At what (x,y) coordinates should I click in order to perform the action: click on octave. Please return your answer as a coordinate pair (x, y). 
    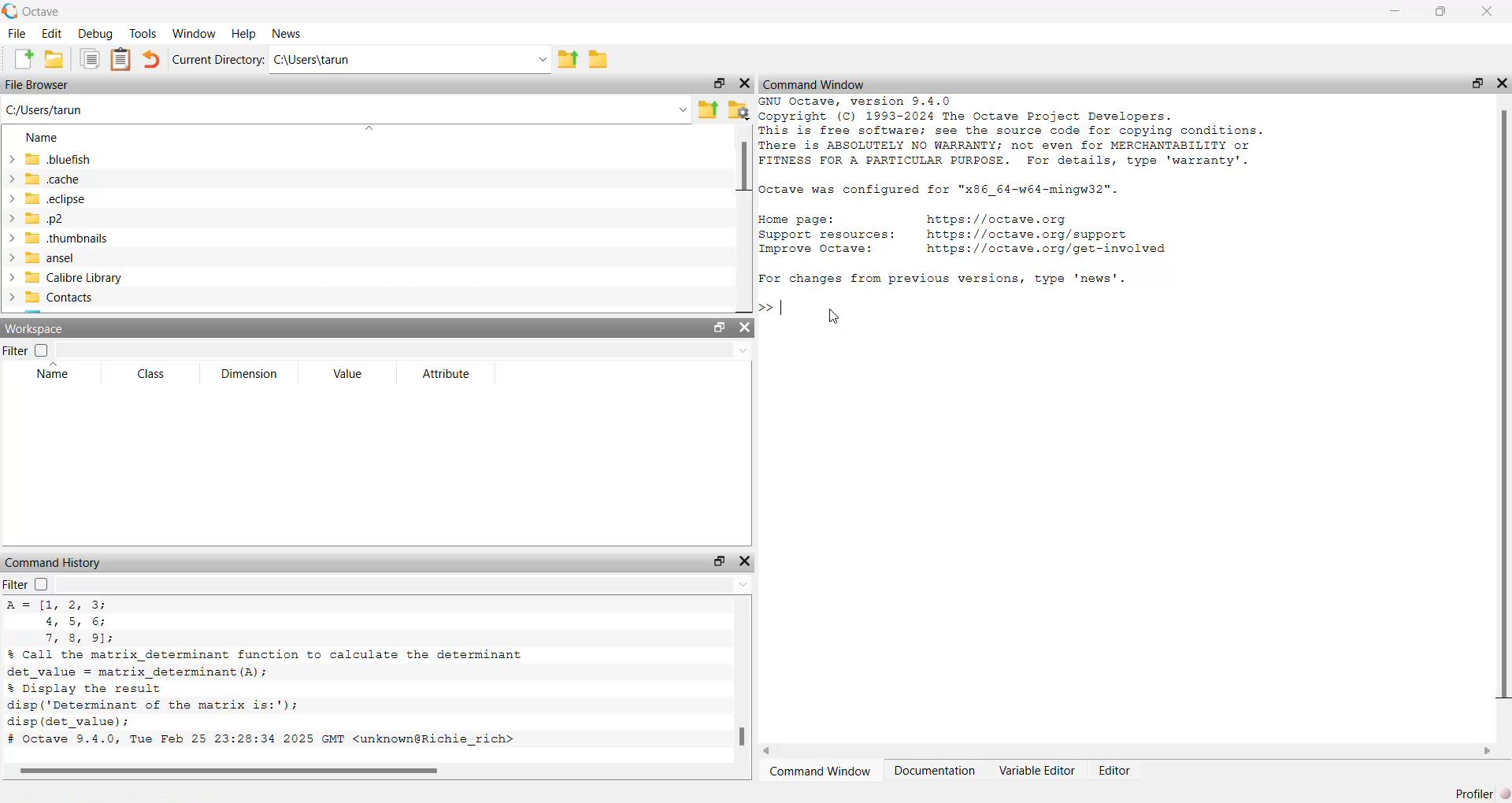
    Looking at the image, I should click on (31, 12).